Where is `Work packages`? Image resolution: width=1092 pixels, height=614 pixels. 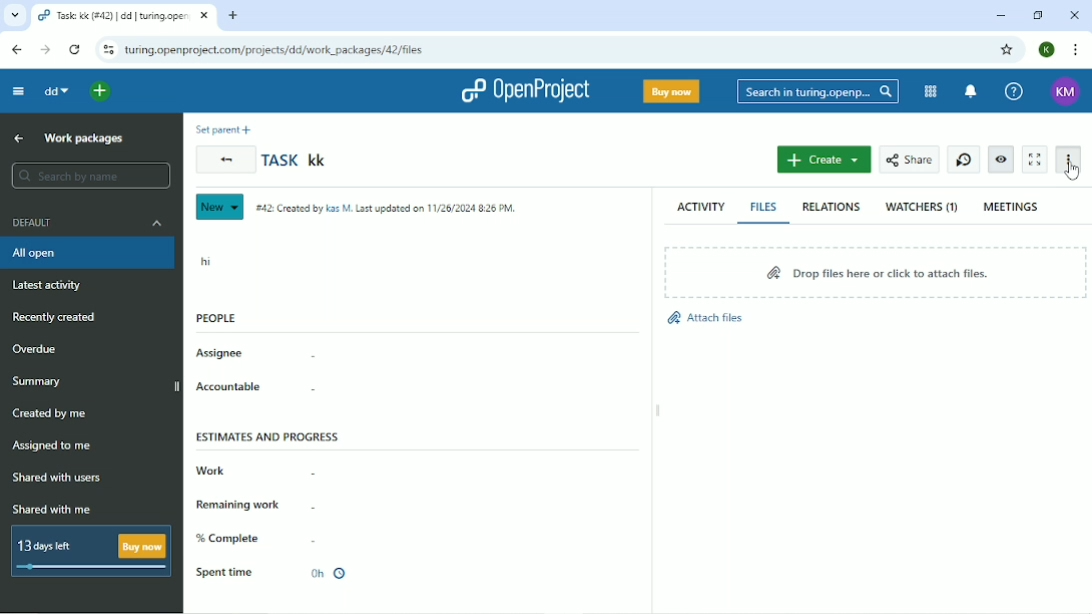
Work packages is located at coordinates (85, 138).